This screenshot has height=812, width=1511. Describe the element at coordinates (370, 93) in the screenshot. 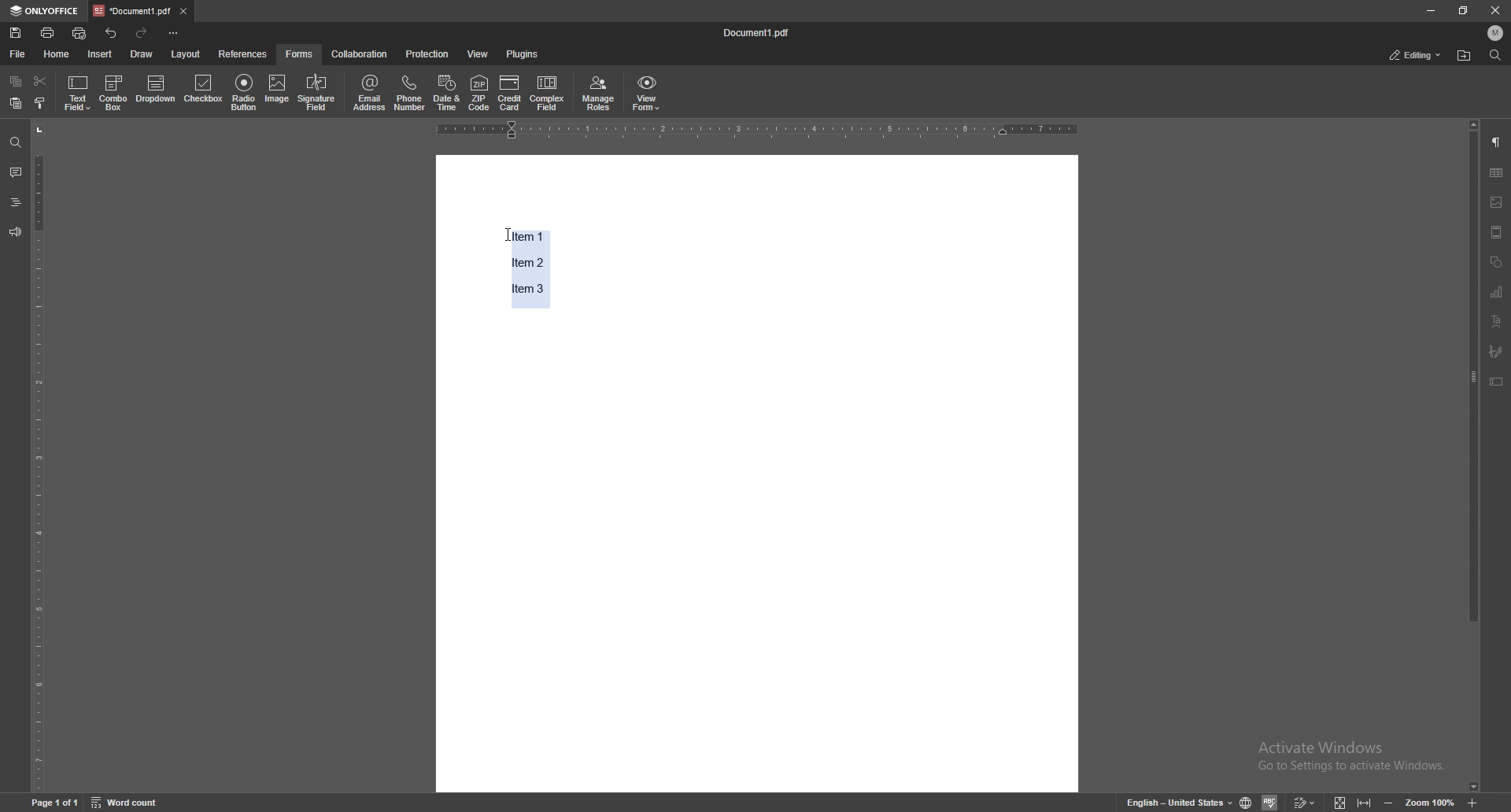

I see `email address` at that location.